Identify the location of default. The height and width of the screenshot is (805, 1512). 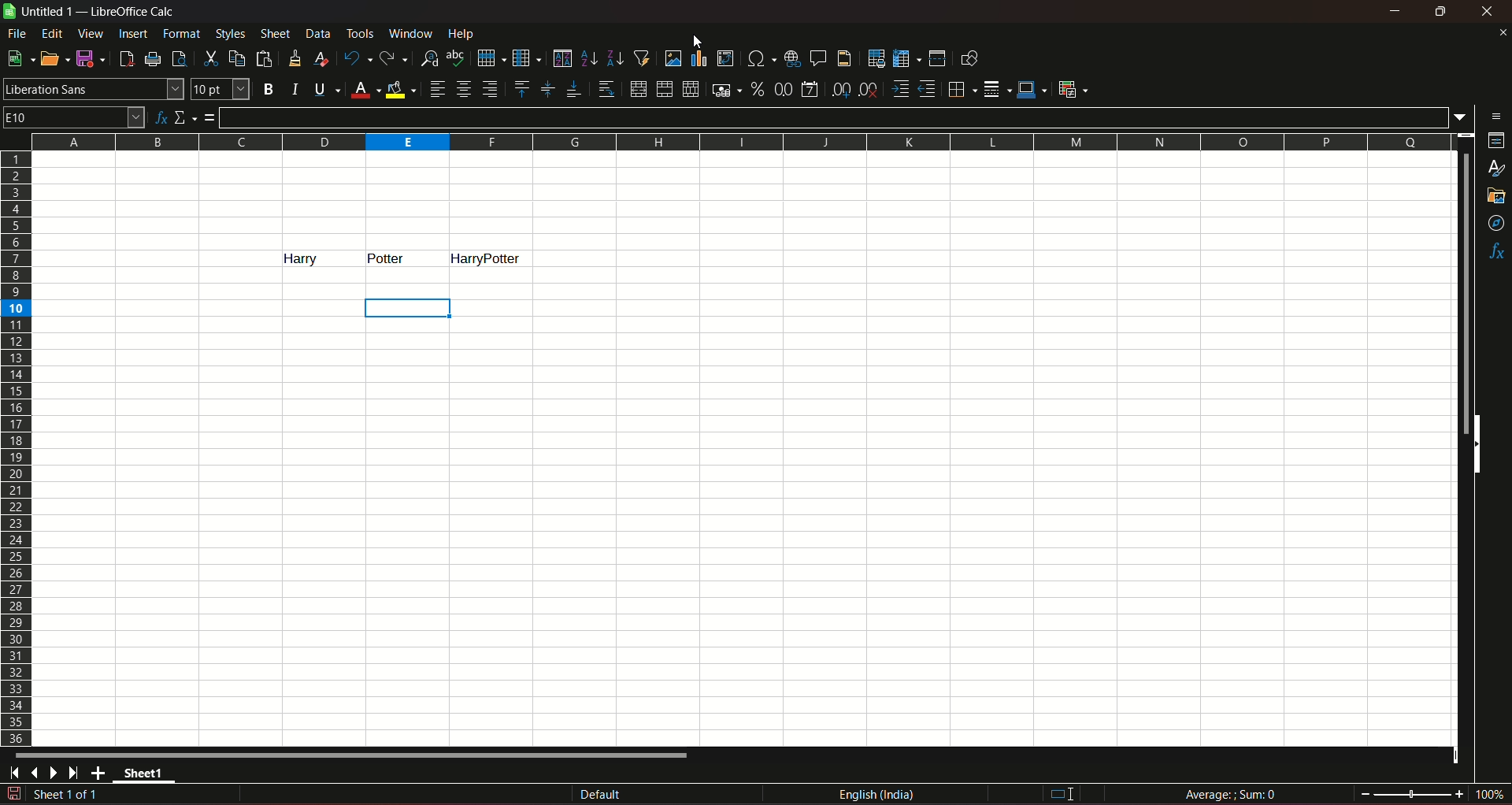
(601, 796).